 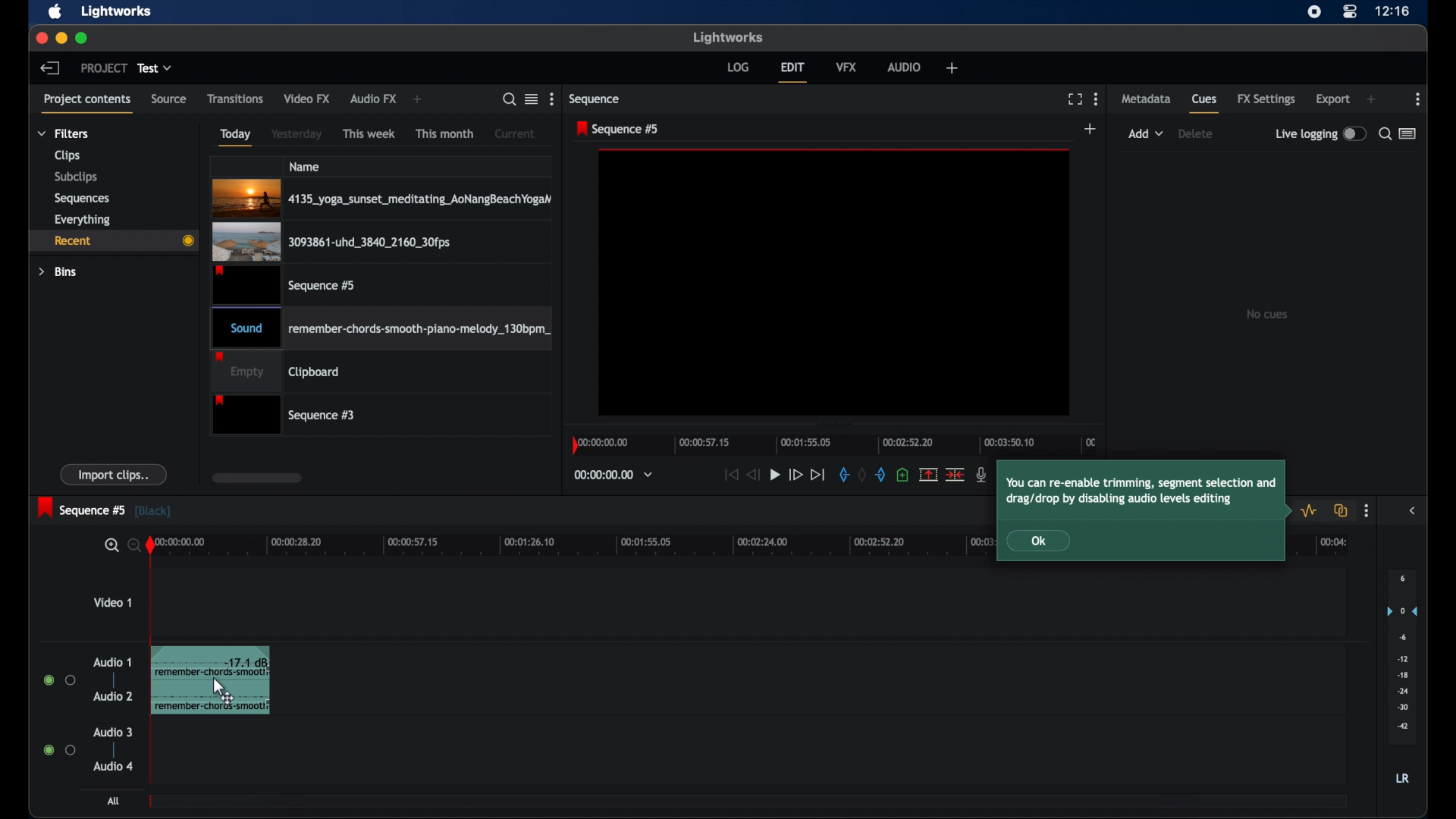 What do you see at coordinates (41, 39) in the screenshot?
I see `close` at bounding box center [41, 39].